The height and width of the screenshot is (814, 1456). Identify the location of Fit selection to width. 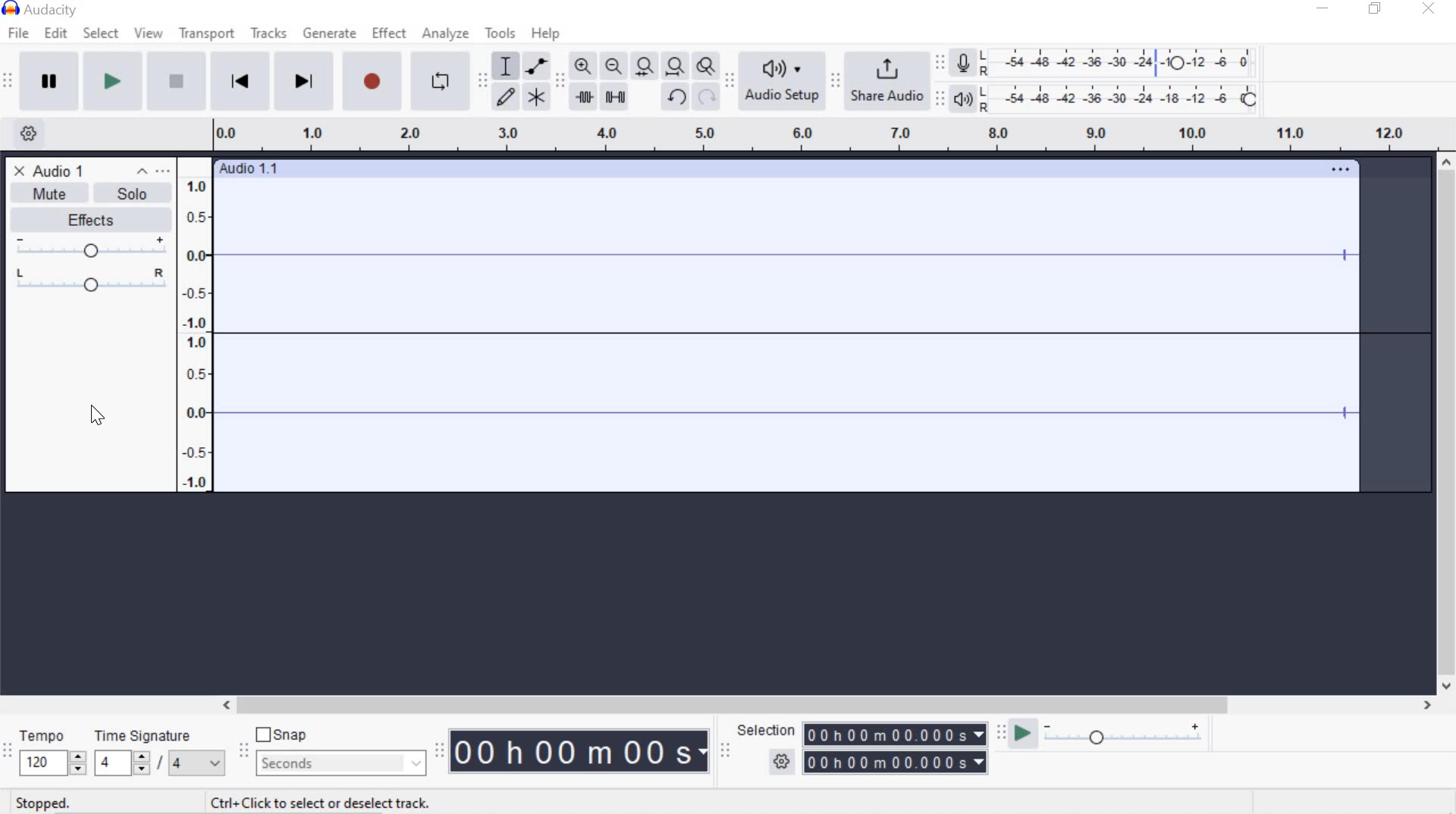
(645, 66).